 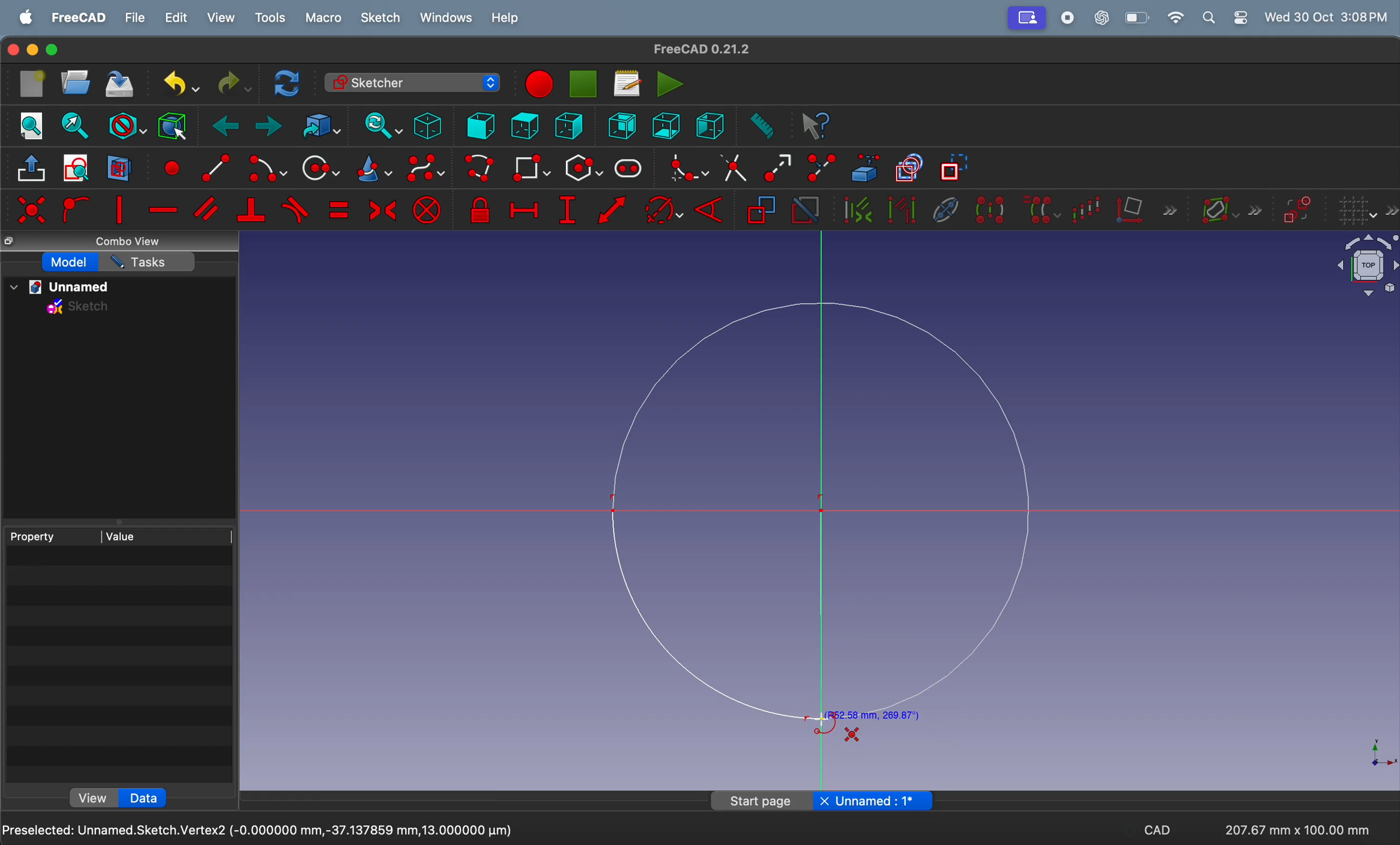 What do you see at coordinates (251, 211) in the screenshot?
I see `constrain perpendicular` at bounding box center [251, 211].